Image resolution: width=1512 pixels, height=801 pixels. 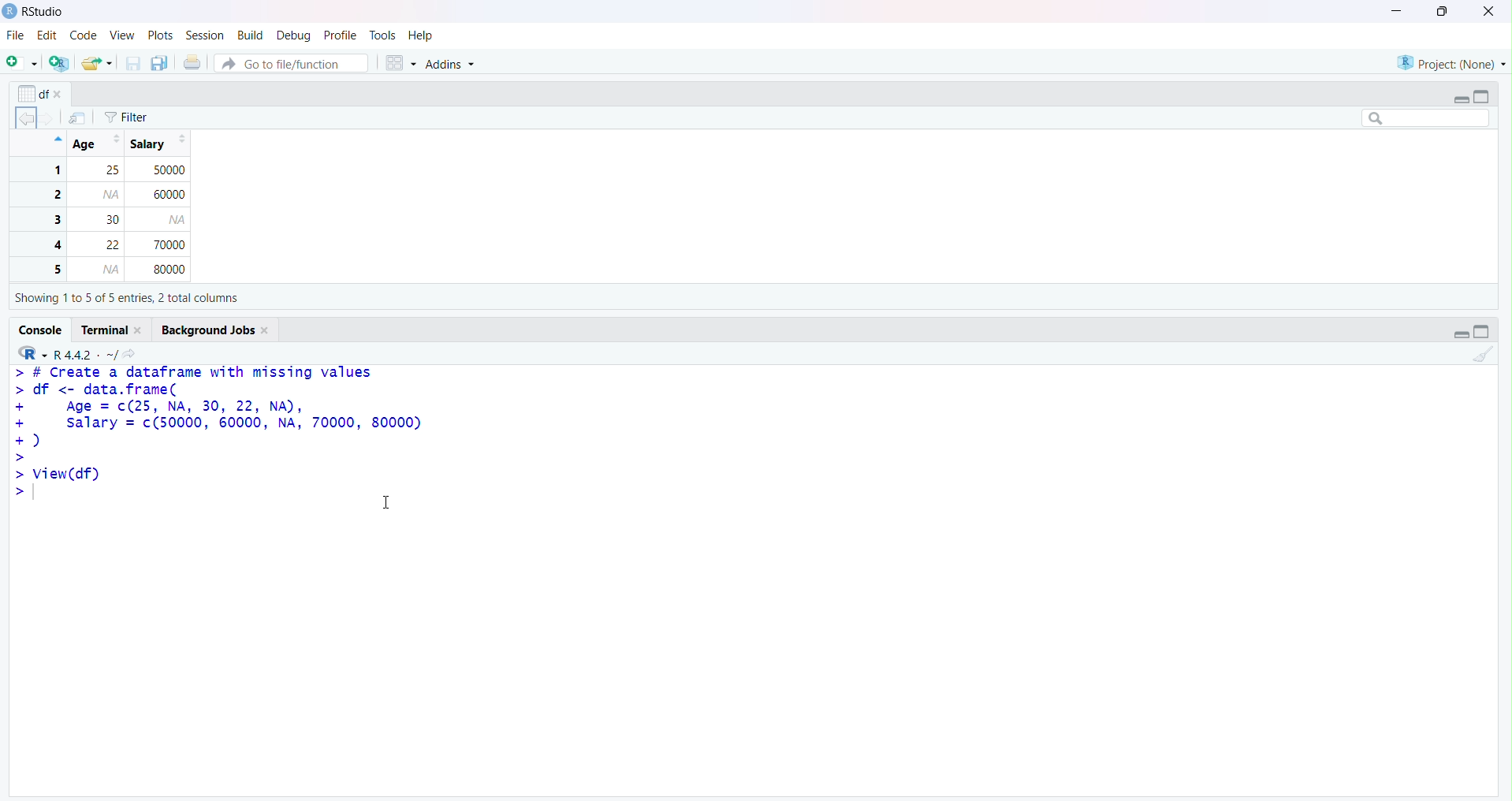 I want to click on Workspace panes, so click(x=397, y=59).